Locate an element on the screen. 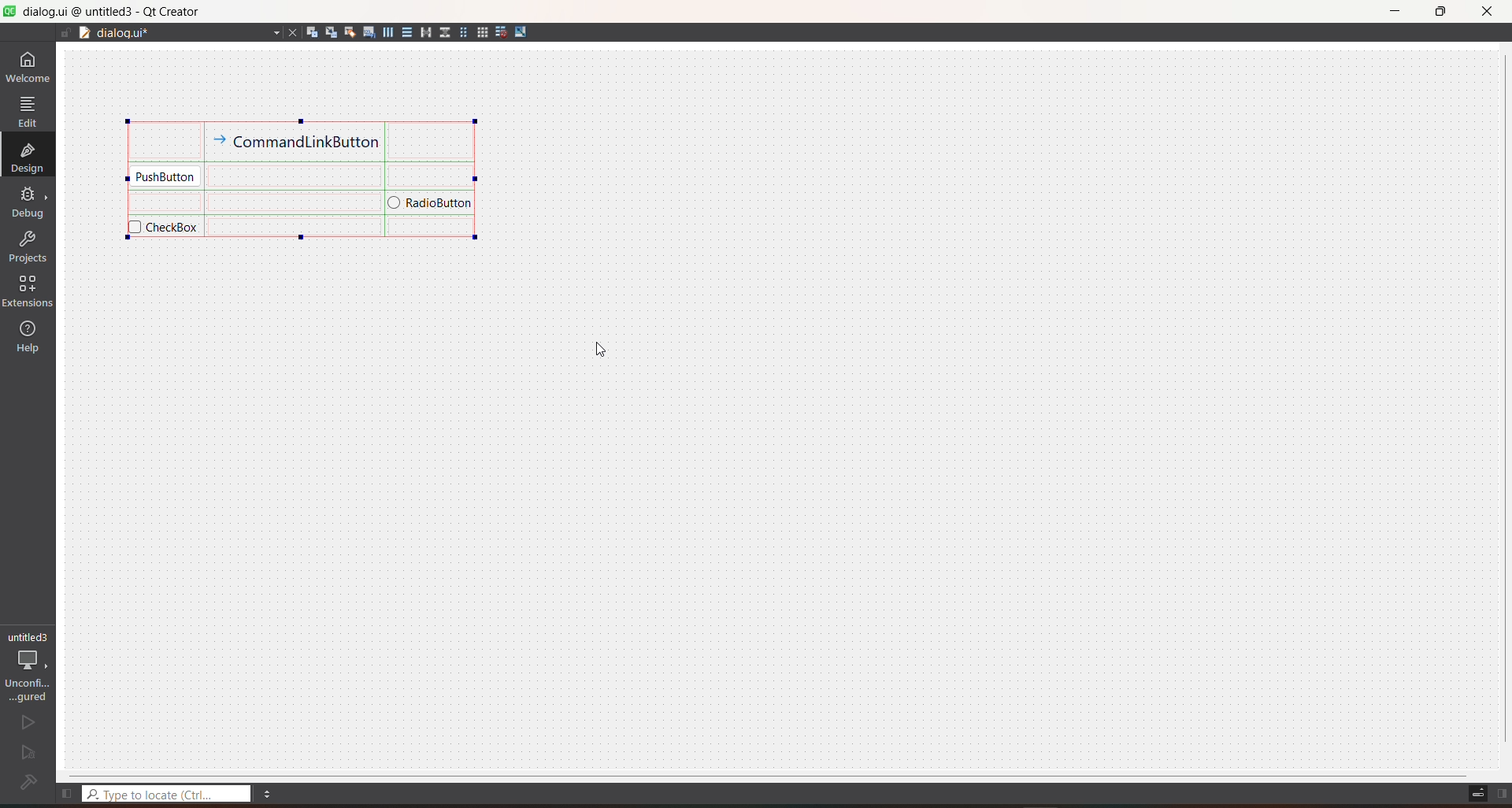 The height and width of the screenshot is (808, 1512). debug is located at coordinates (28, 202).